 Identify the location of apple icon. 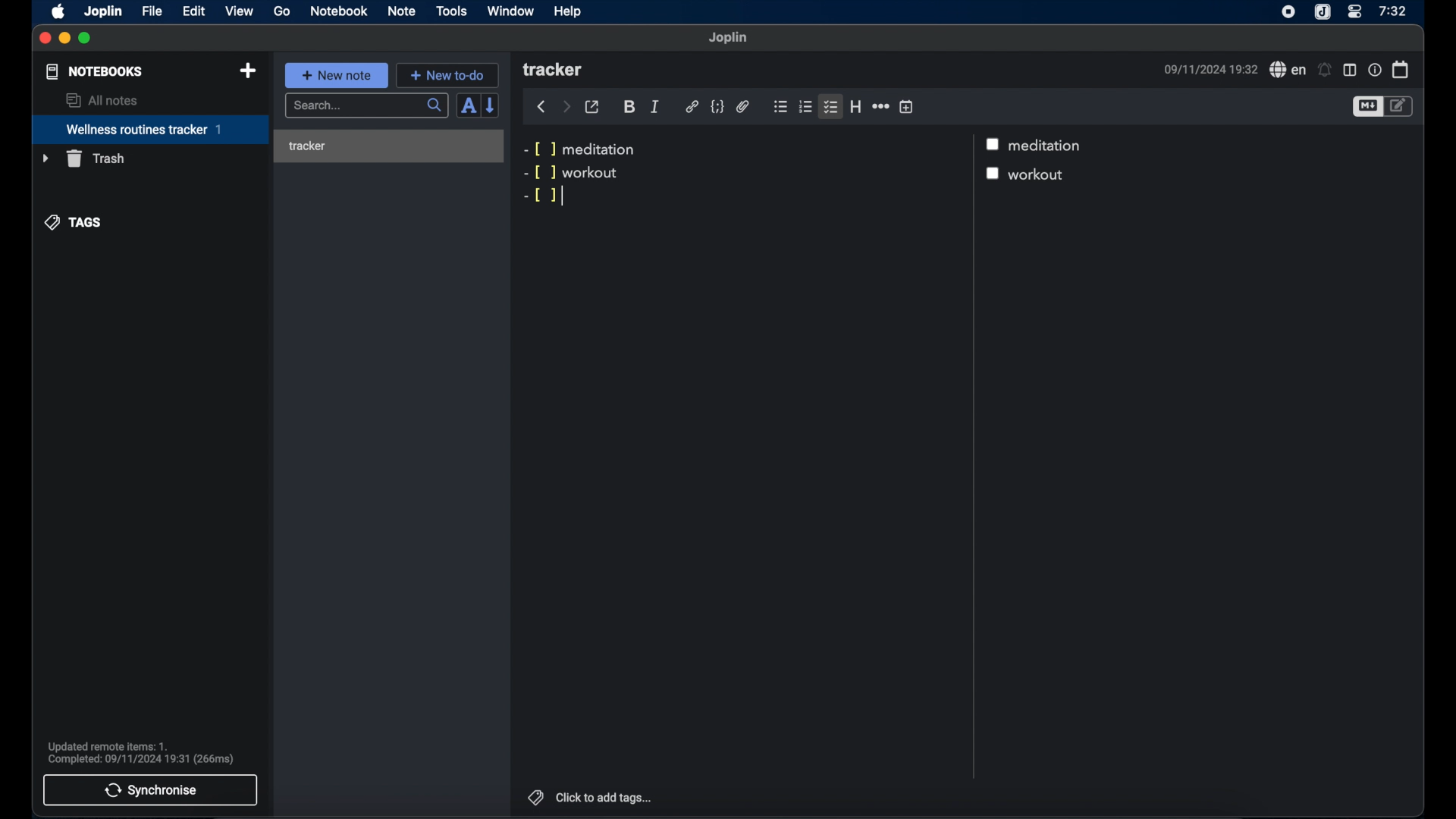
(59, 12).